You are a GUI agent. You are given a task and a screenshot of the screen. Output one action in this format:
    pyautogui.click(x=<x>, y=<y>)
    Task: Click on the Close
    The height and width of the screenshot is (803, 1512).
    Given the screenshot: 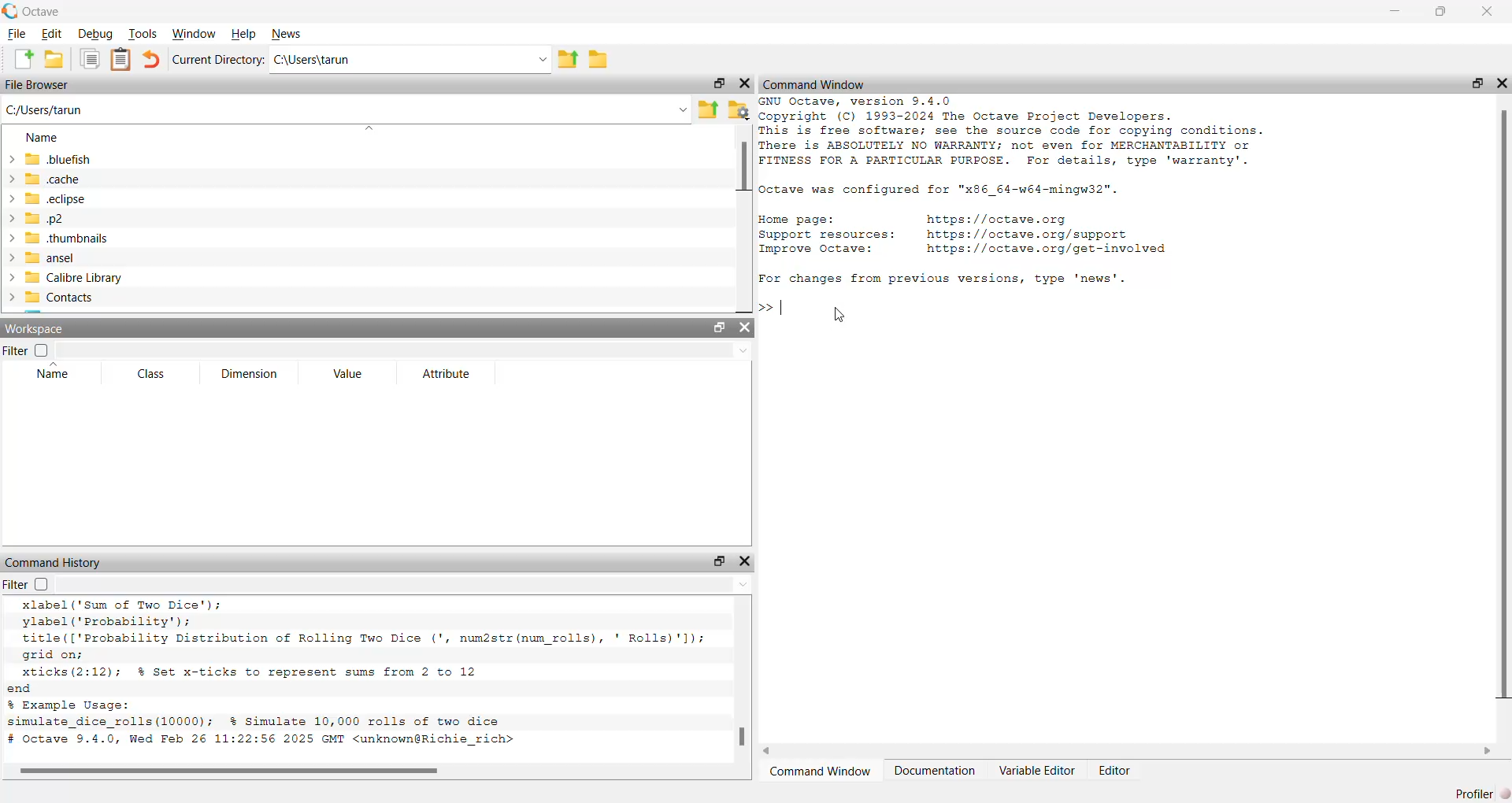 What is the action you would take?
    pyautogui.click(x=747, y=327)
    